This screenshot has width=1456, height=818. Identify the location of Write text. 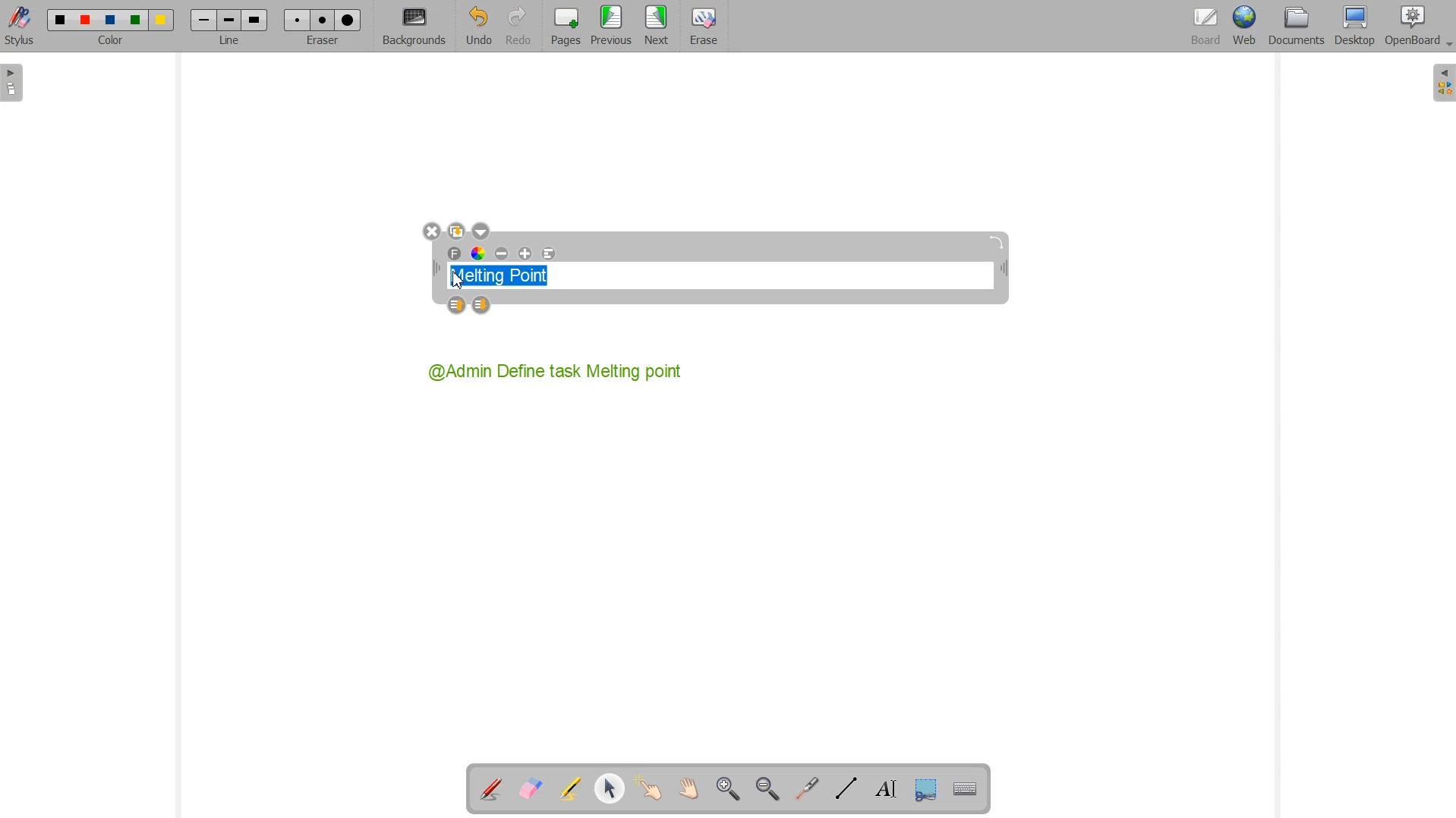
(882, 787).